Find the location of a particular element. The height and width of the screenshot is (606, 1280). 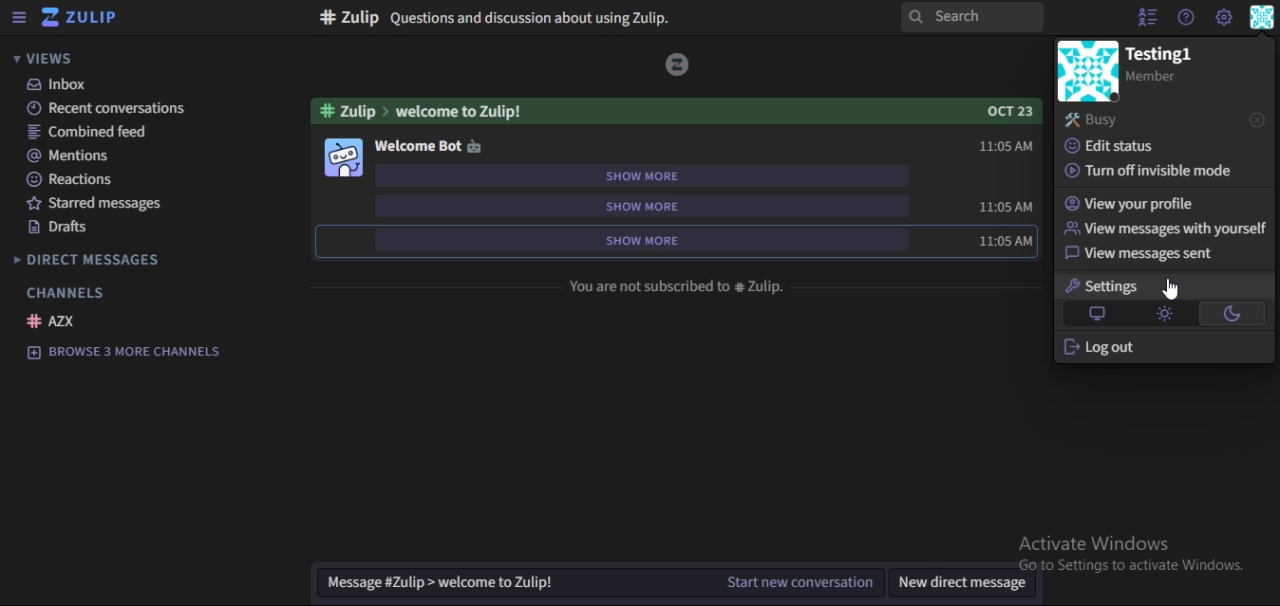

light theme is located at coordinates (1166, 313).